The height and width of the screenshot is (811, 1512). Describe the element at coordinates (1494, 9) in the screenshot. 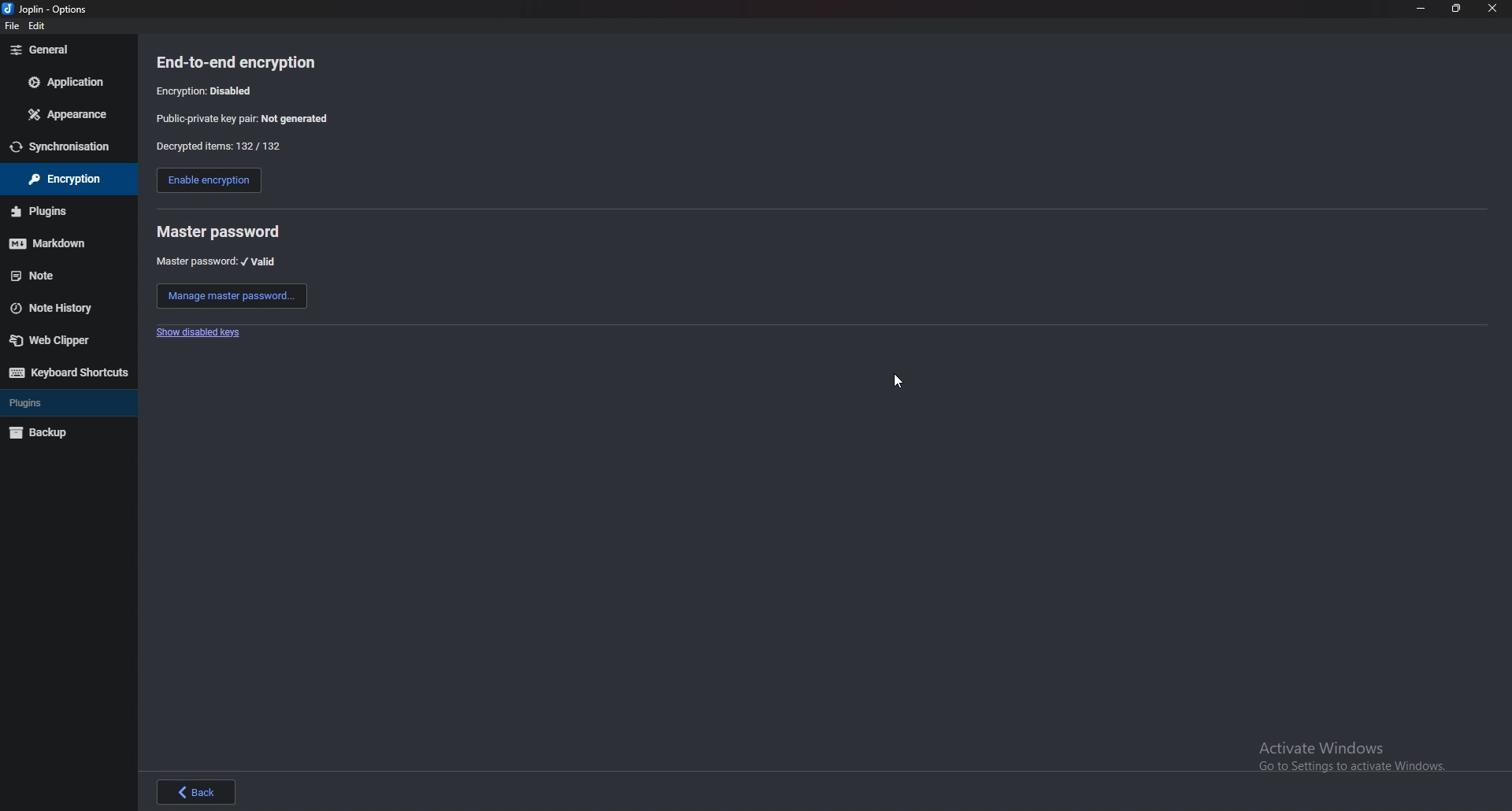

I see `close` at that location.